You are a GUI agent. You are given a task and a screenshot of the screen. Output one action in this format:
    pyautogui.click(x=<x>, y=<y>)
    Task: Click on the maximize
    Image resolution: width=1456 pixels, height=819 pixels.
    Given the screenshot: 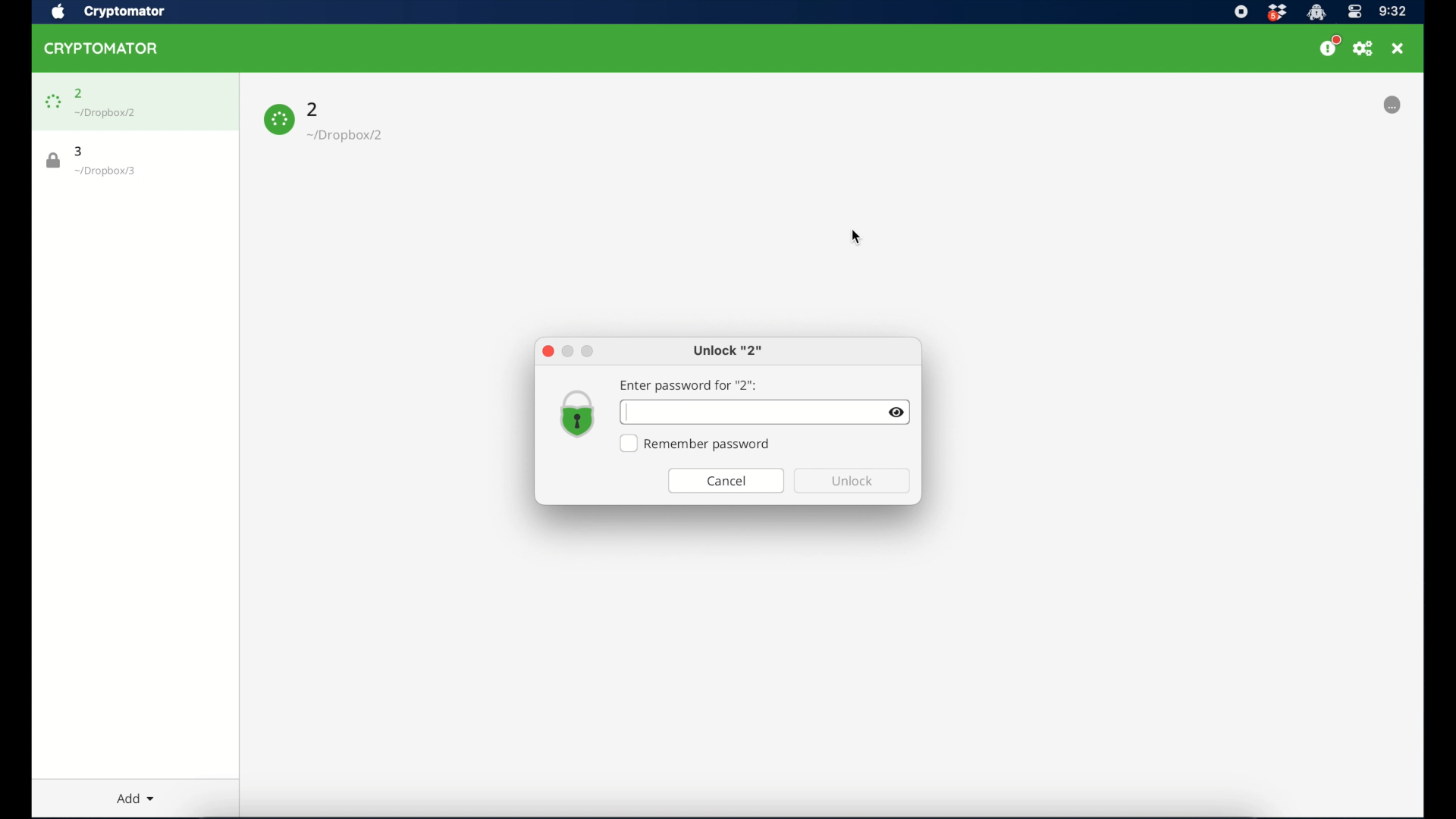 What is the action you would take?
    pyautogui.click(x=588, y=352)
    